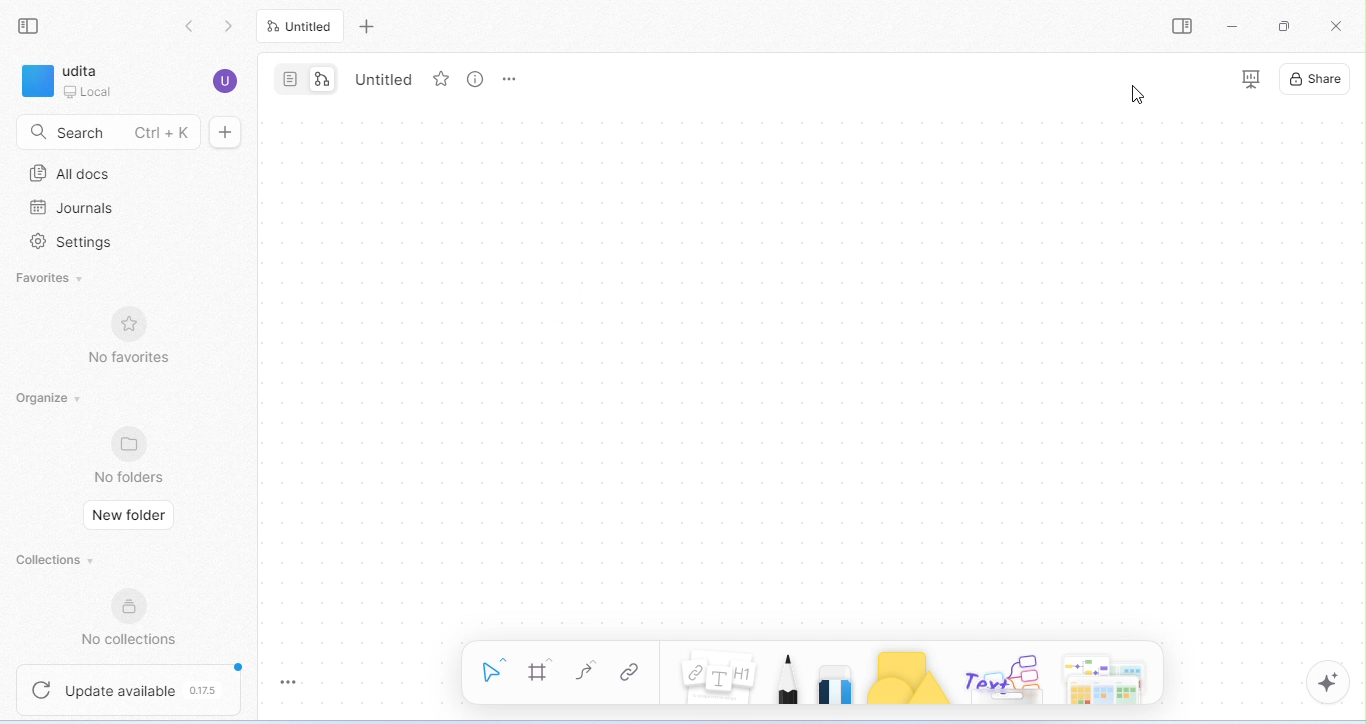 This screenshot has width=1366, height=724. I want to click on select, so click(490, 667).